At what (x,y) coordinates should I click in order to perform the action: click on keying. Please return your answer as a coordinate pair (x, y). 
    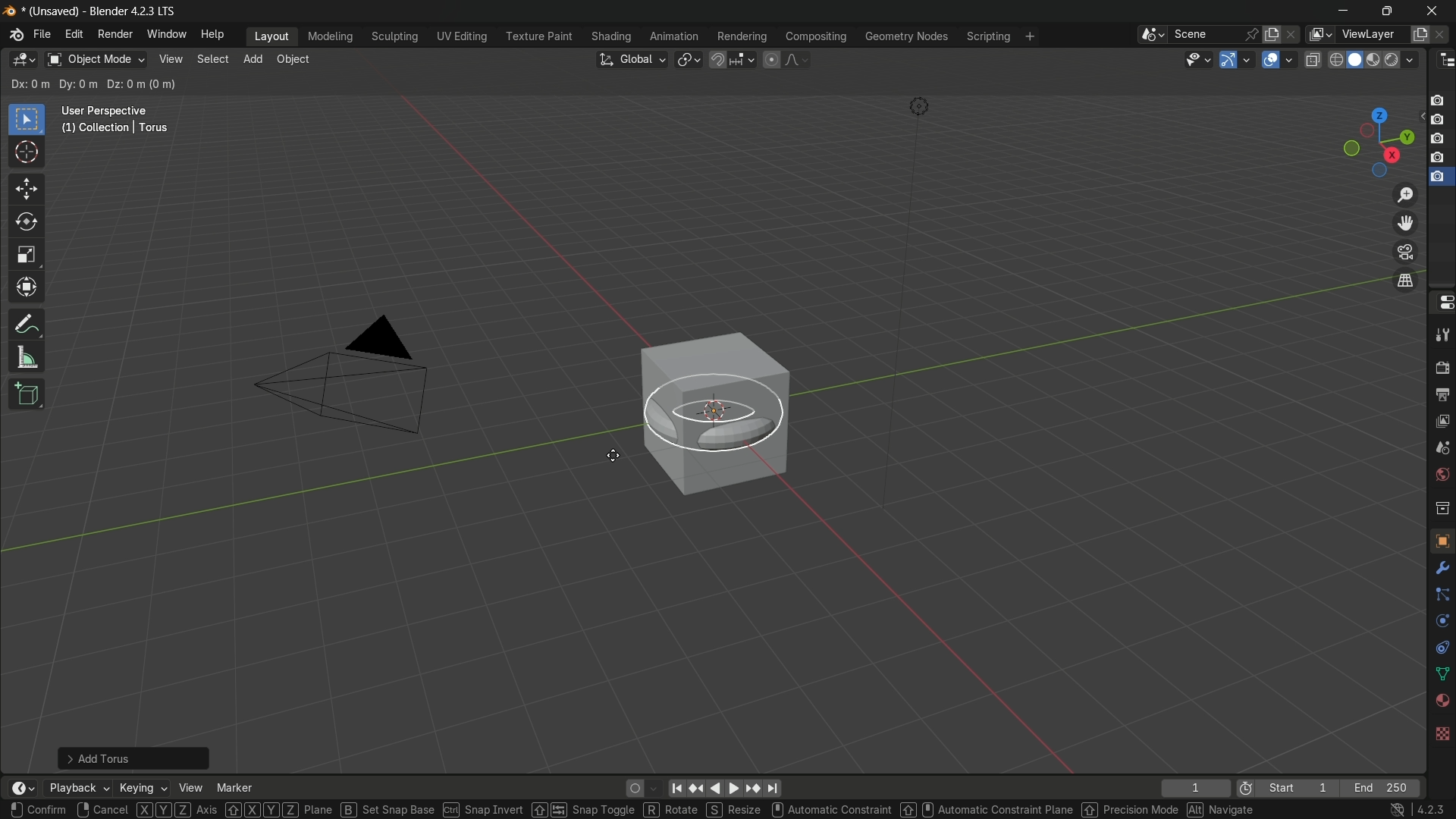
    Looking at the image, I should click on (141, 787).